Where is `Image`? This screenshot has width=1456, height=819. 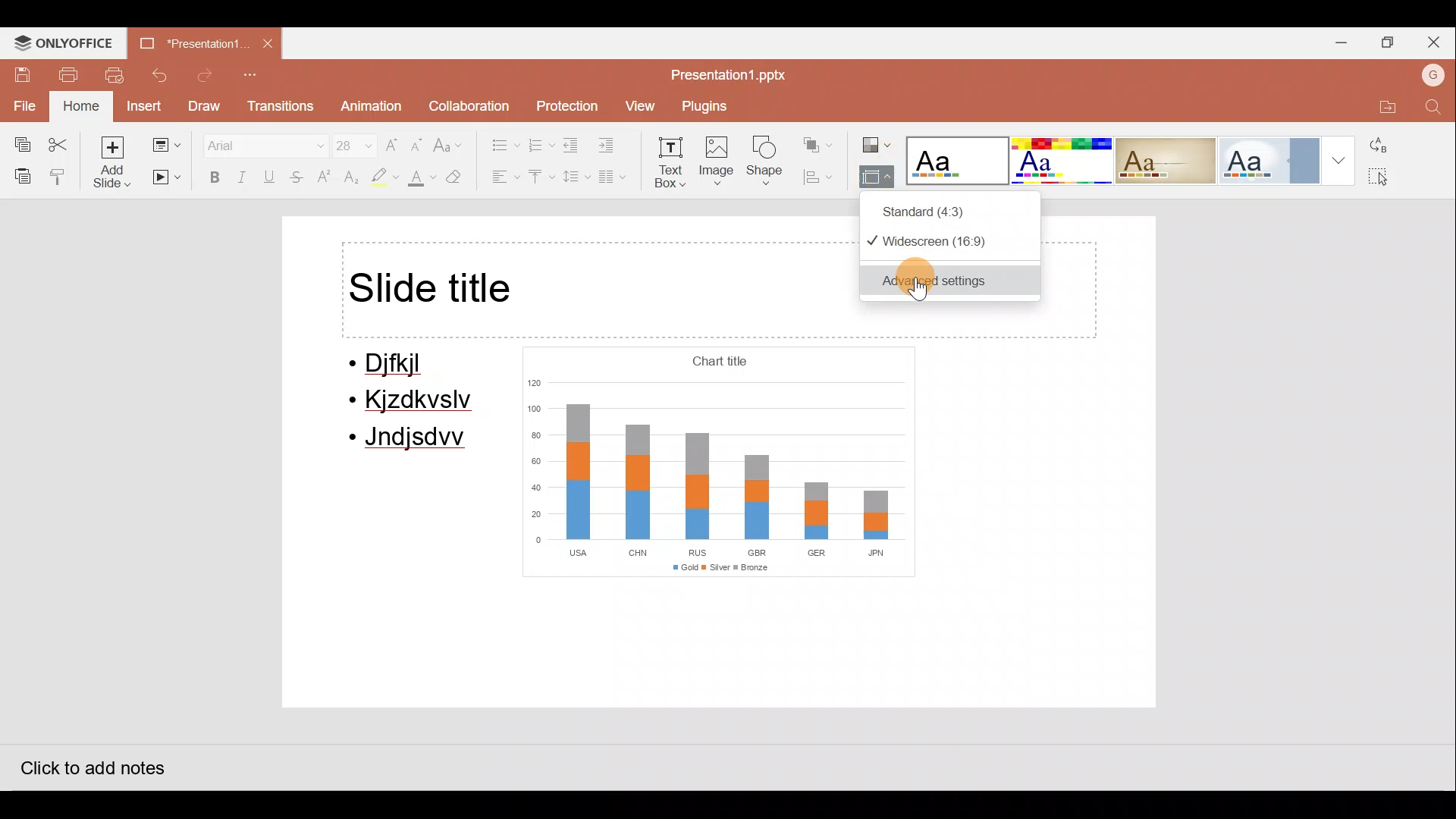
Image is located at coordinates (718, 164).